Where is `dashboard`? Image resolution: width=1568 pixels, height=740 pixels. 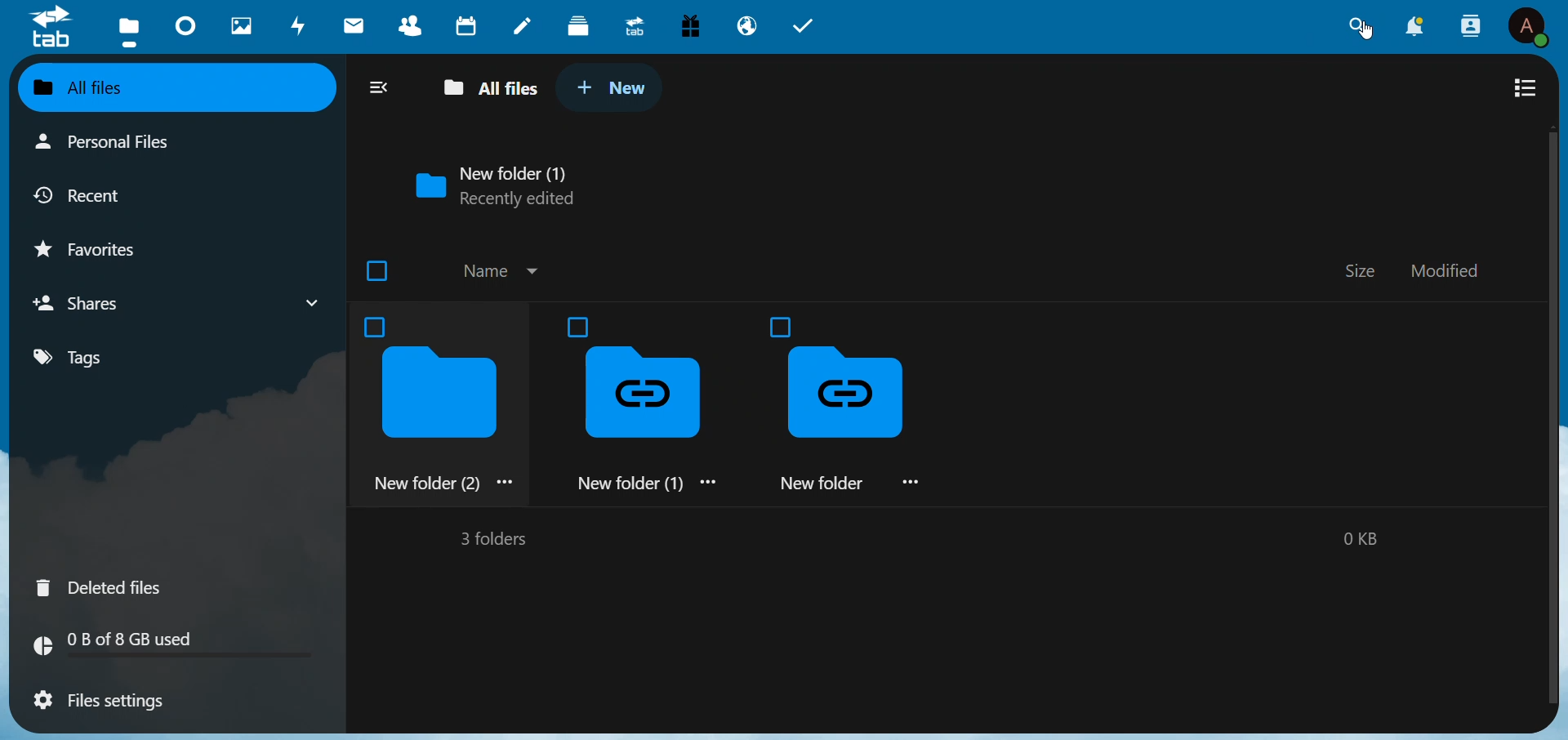
dashboard is located at coordinates (187, 27).